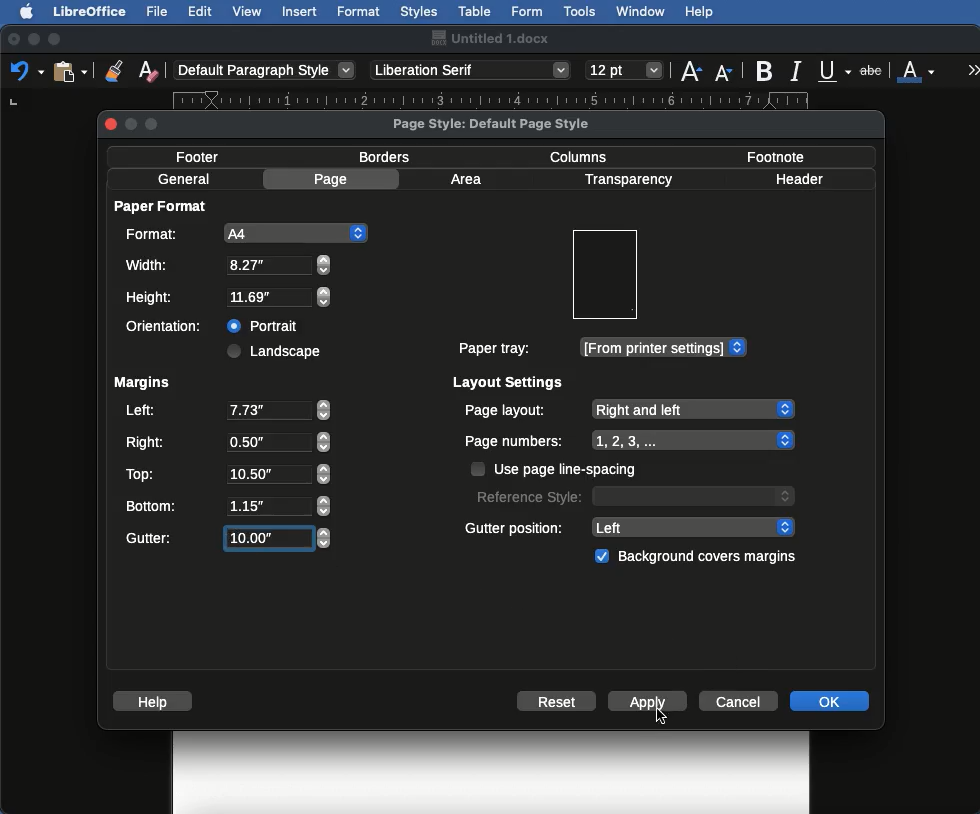 This screenshot has width=980, height=814. I want to click on General, so click(184, 179).